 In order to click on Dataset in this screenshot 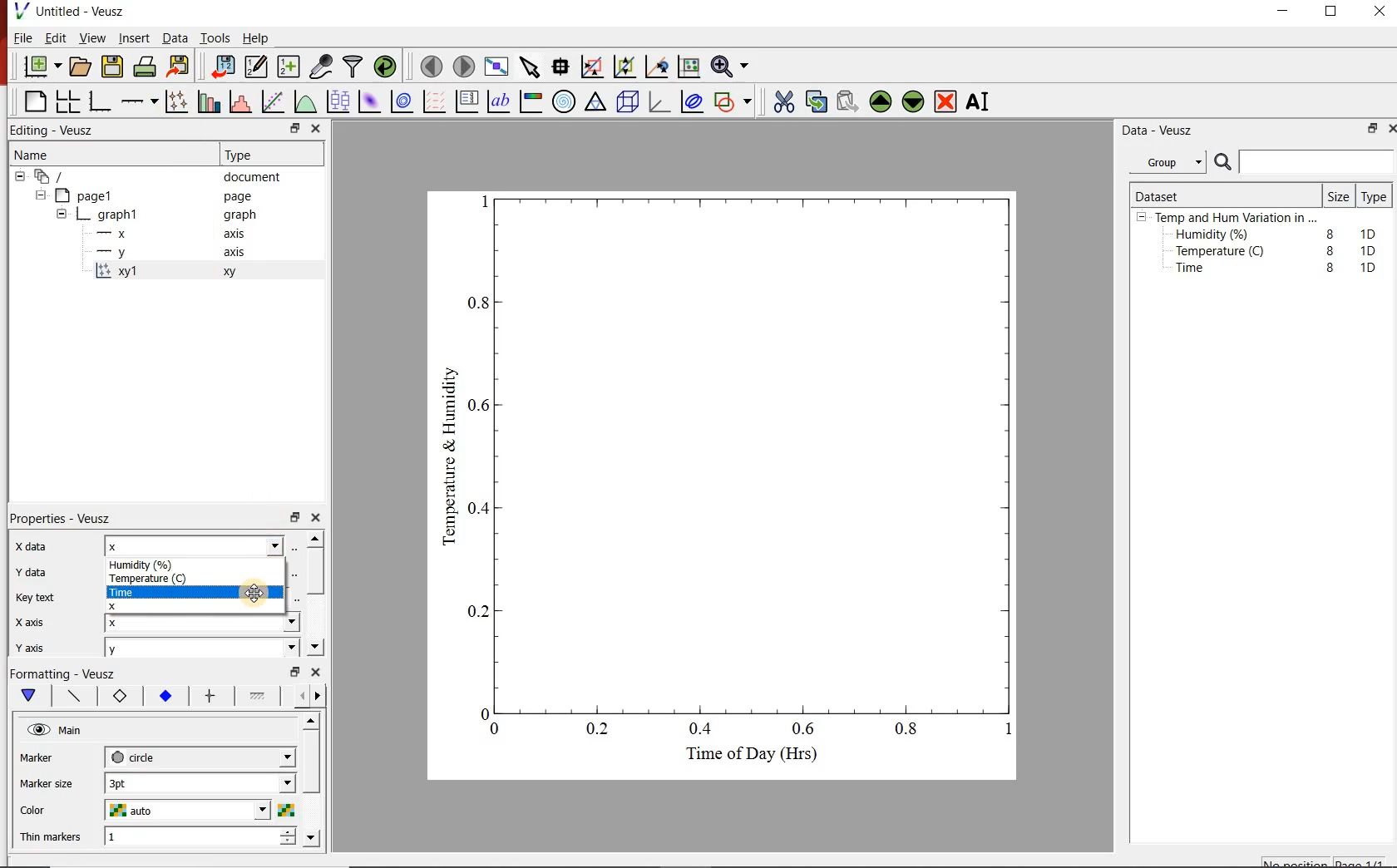, I will do `click(1164, 194)`.